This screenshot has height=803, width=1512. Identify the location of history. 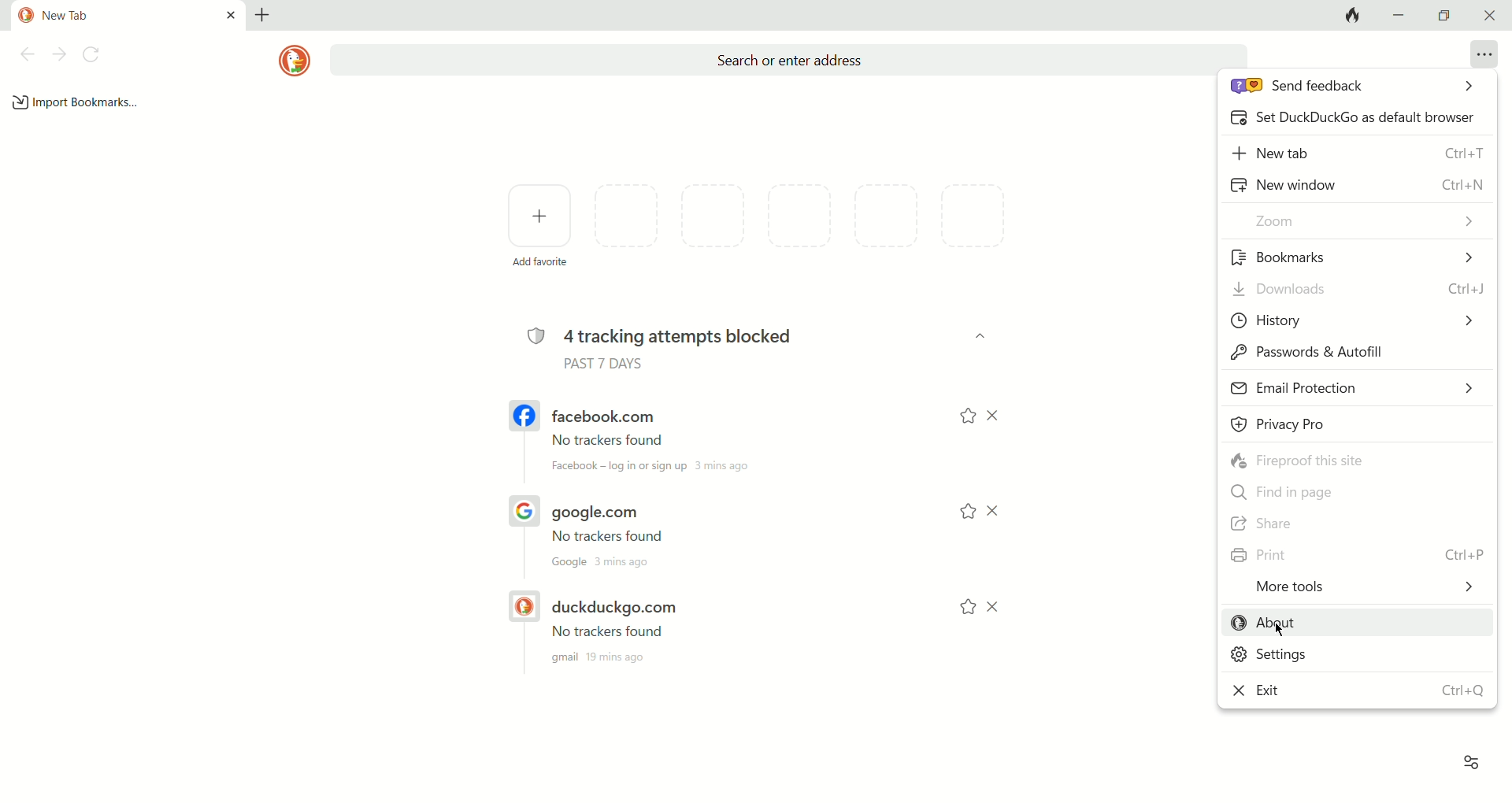
(1351, 319).